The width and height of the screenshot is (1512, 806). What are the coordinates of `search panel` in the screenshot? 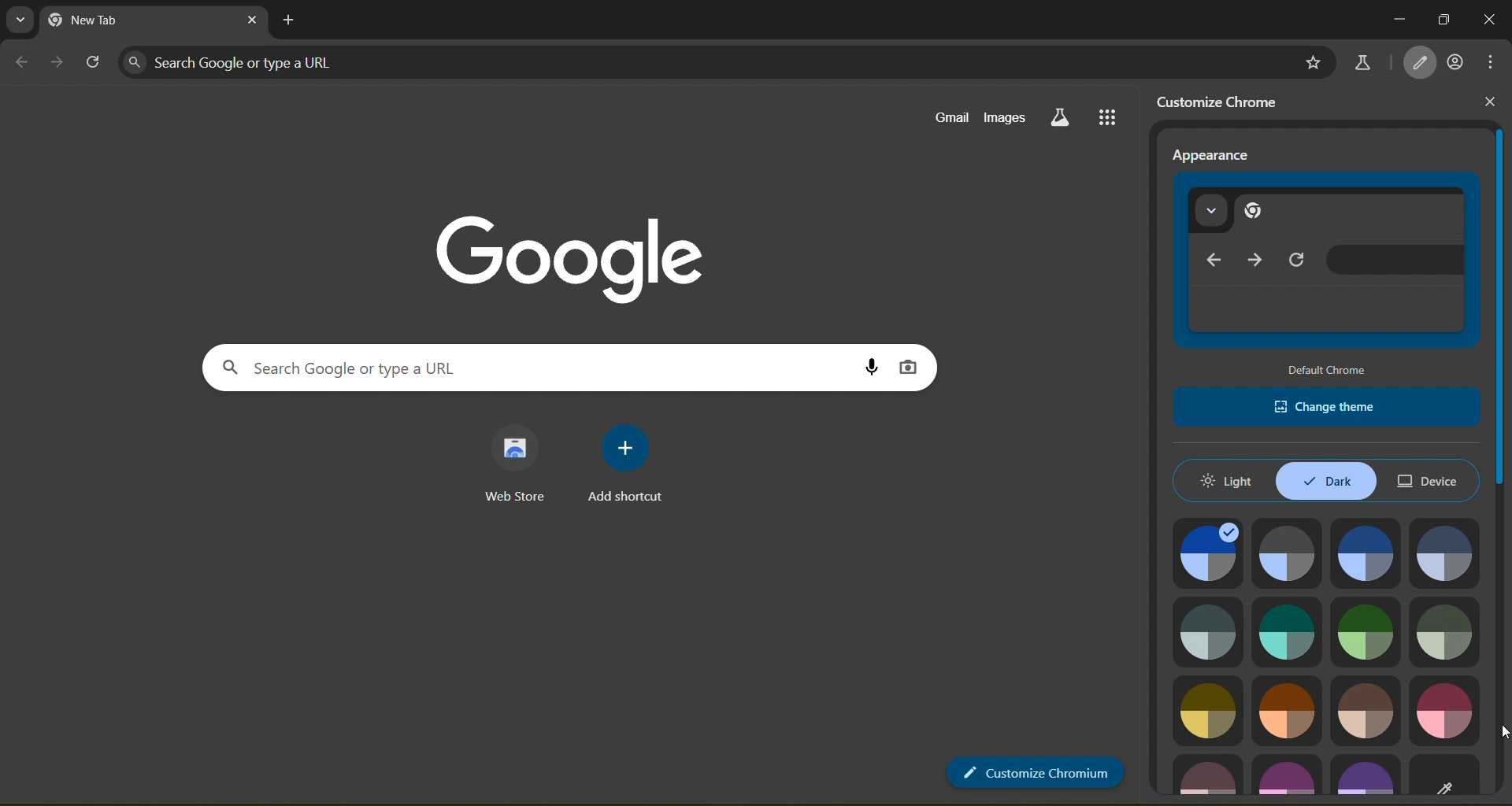 It's located at (324, 62).